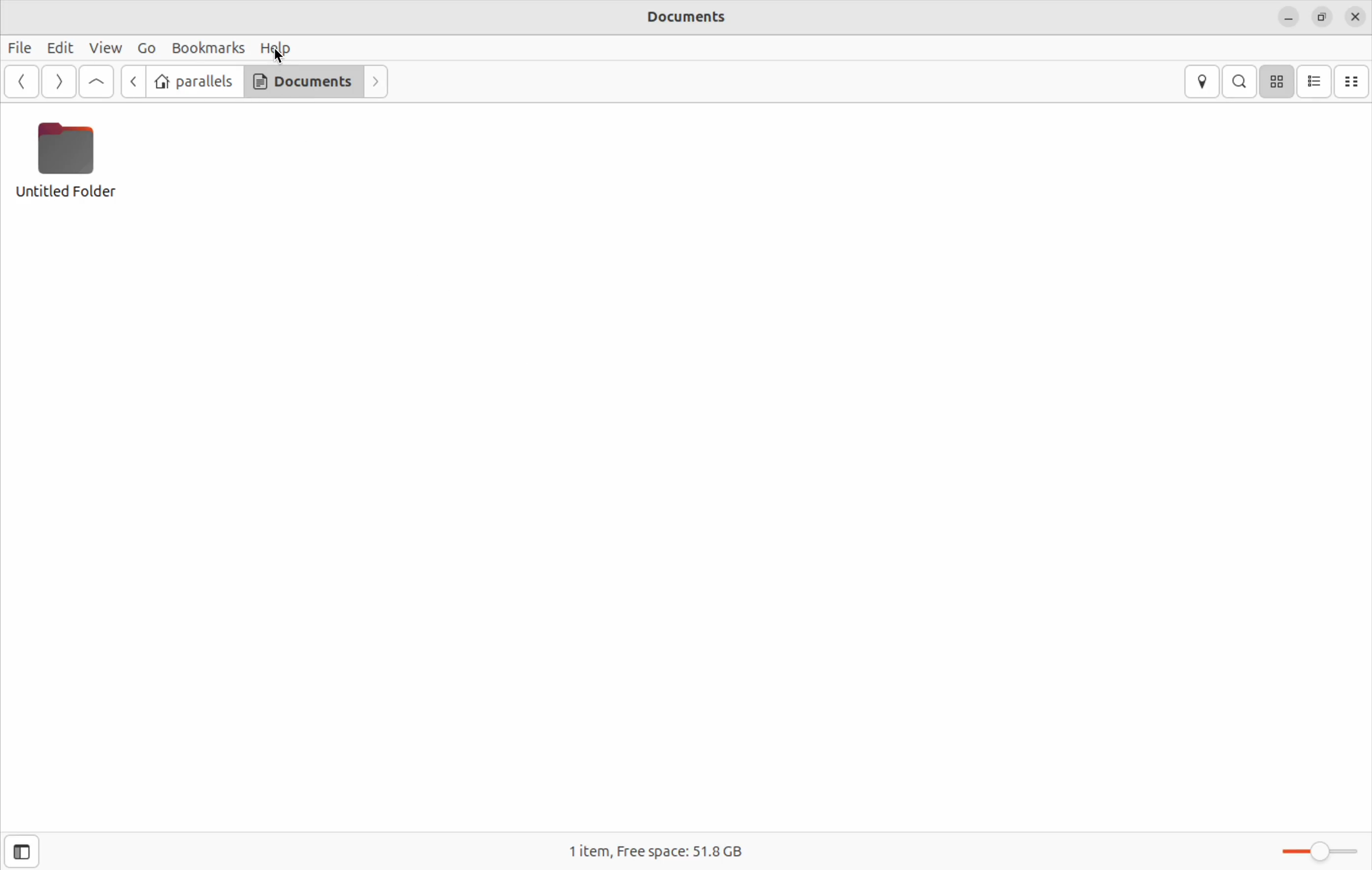  Describe the element at coordinates (279, 57) in the screenshot. I see `Cursor` at that location.